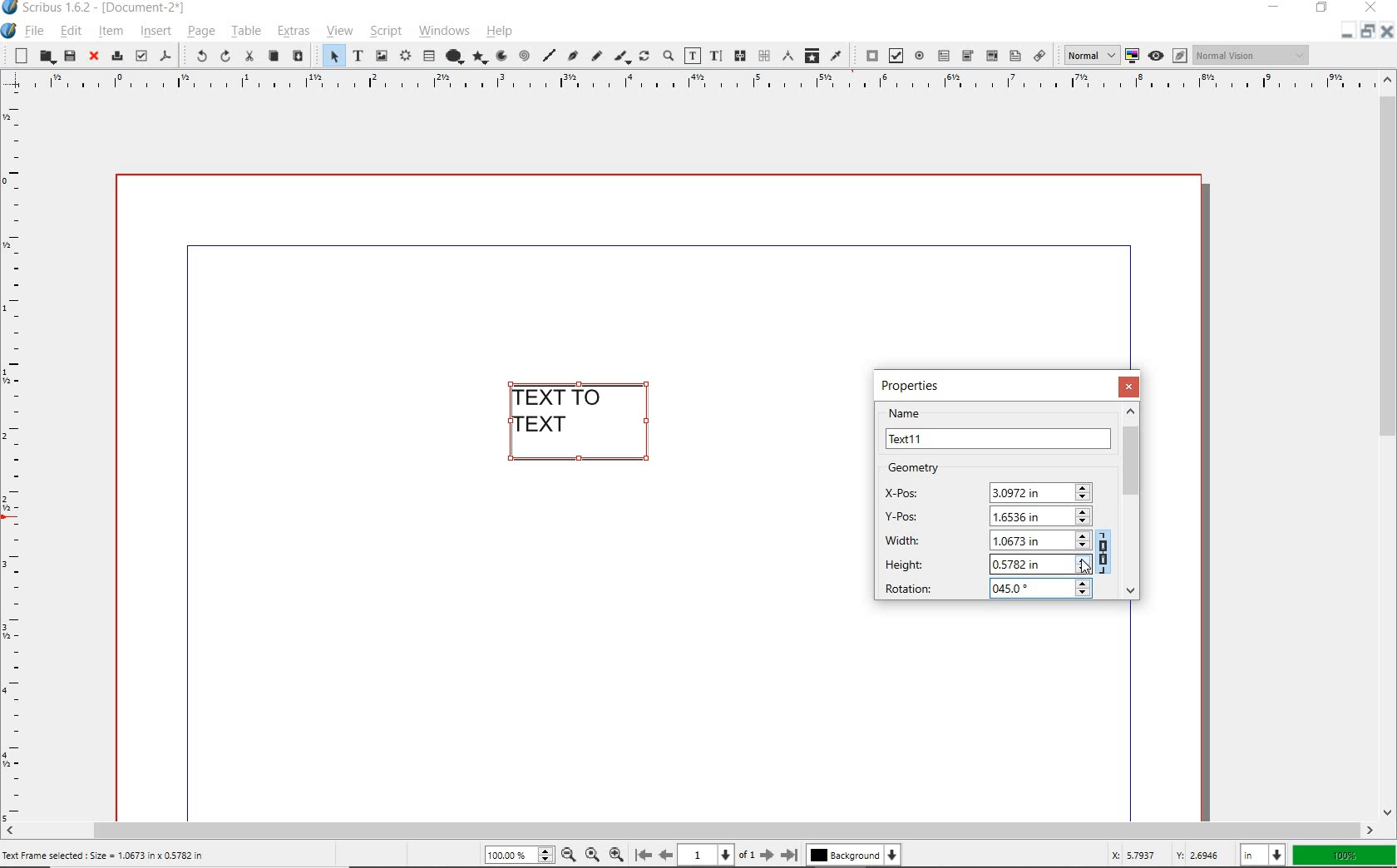  I want to click on shape, so click(454, 55).